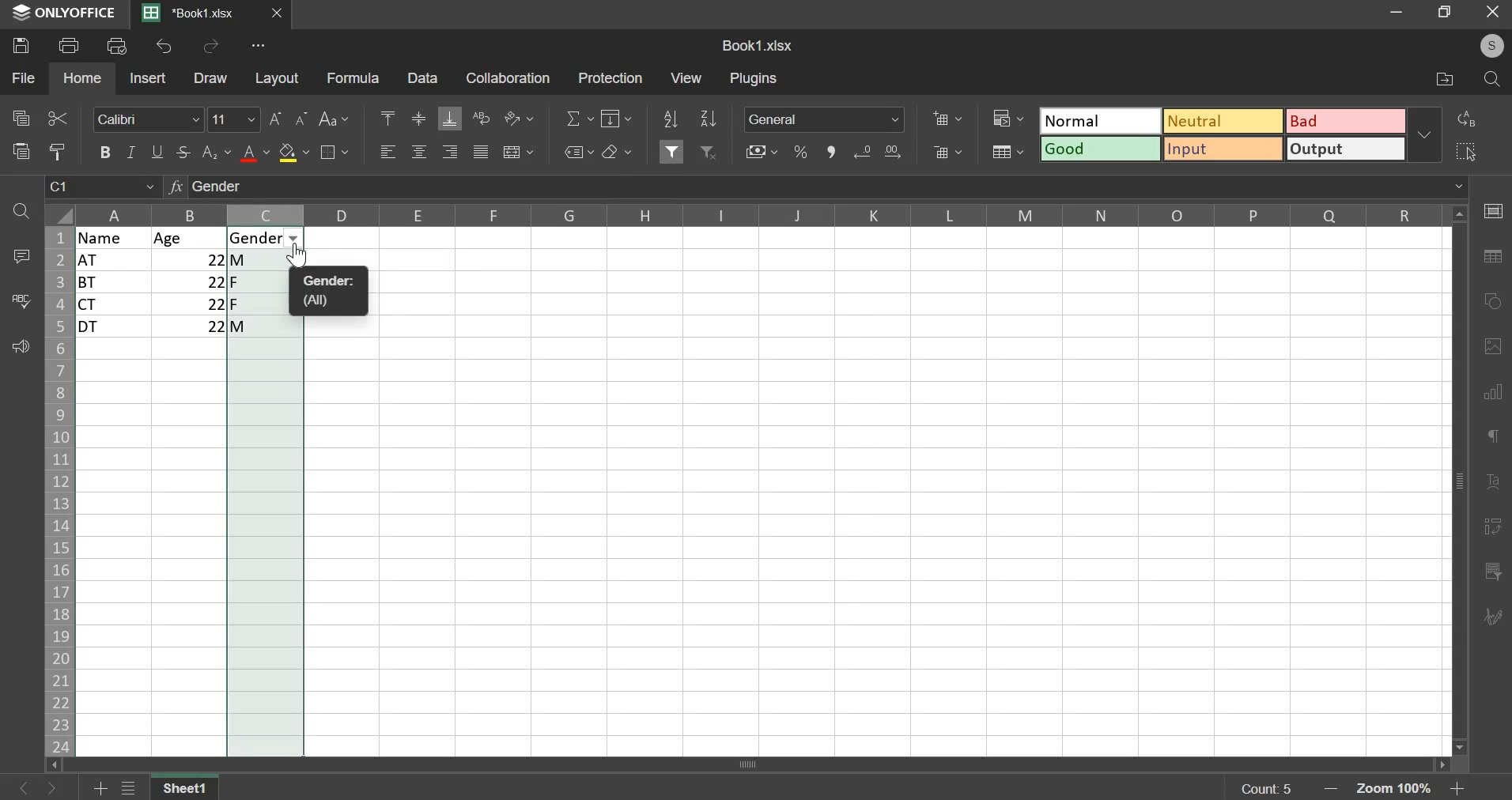 This screenshot has width=1512, height=800. What do you see at coordinates (159, 151) in the screenshot?
I see `underline` at bounding box center [159, 151].